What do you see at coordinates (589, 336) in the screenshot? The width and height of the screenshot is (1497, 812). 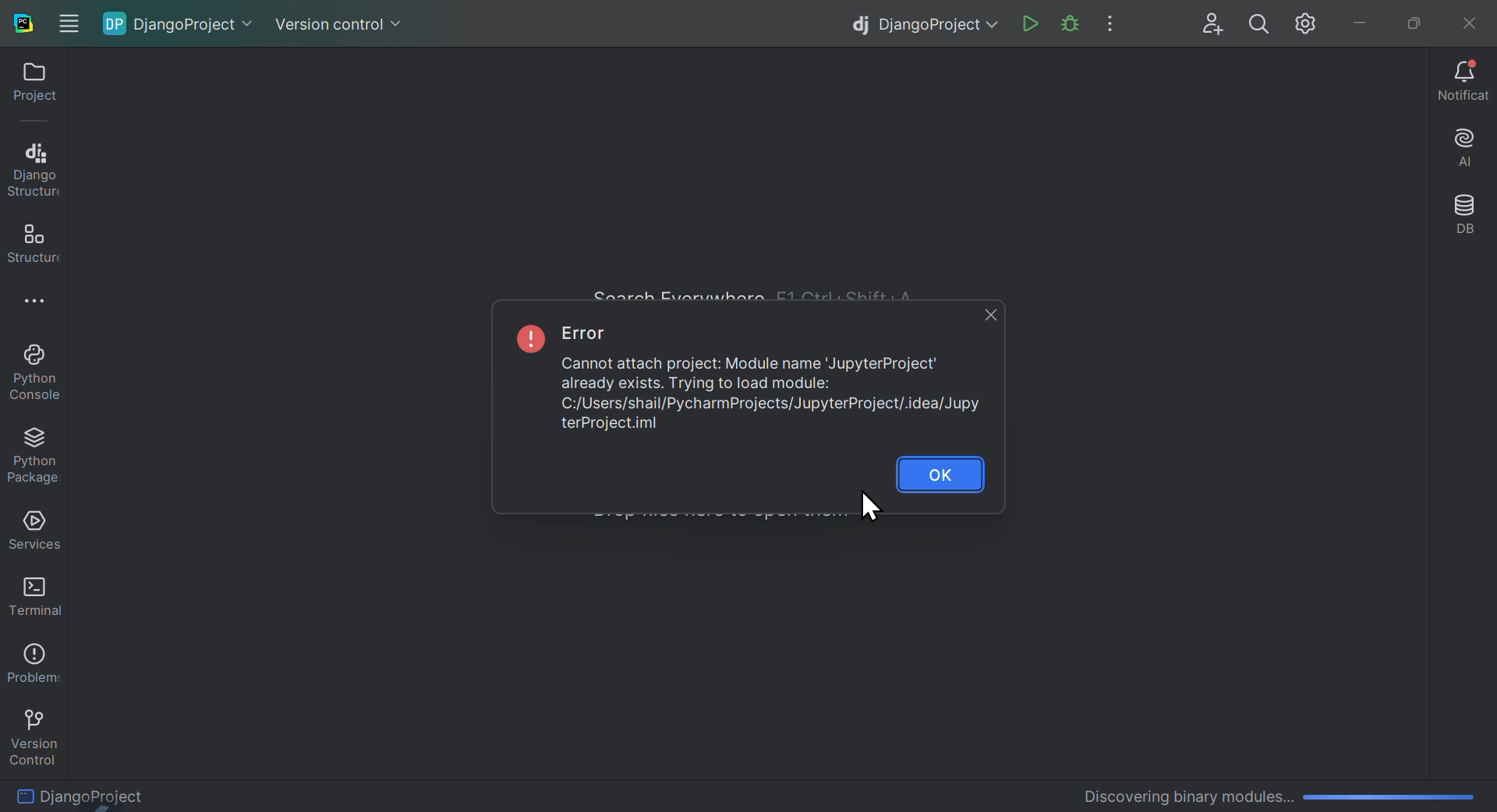 I see `Error` at bounding box center [589, 336].